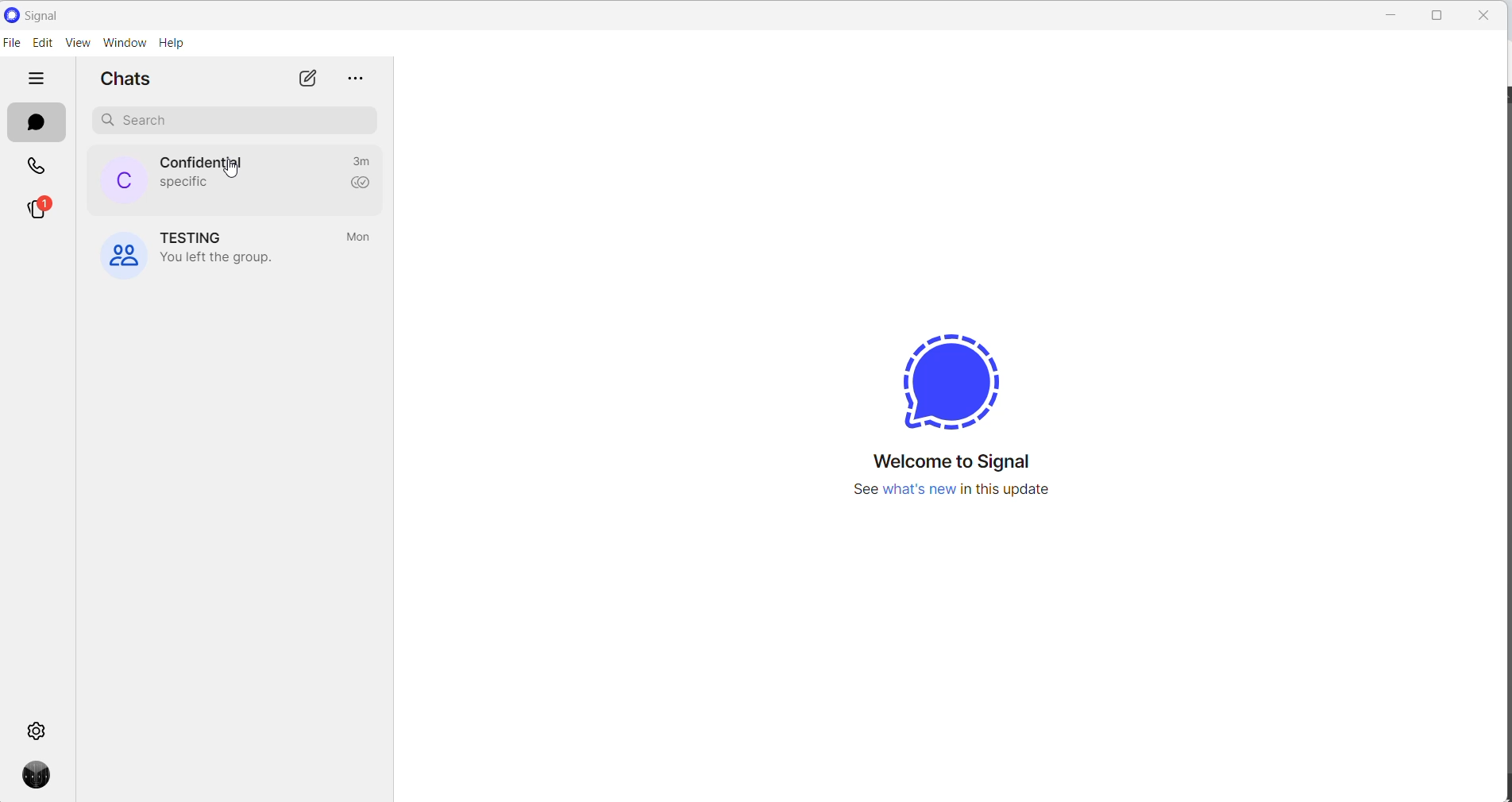  Describe the element at coordinates (235, 121) in the screenshot. I see `search chat` at that location.